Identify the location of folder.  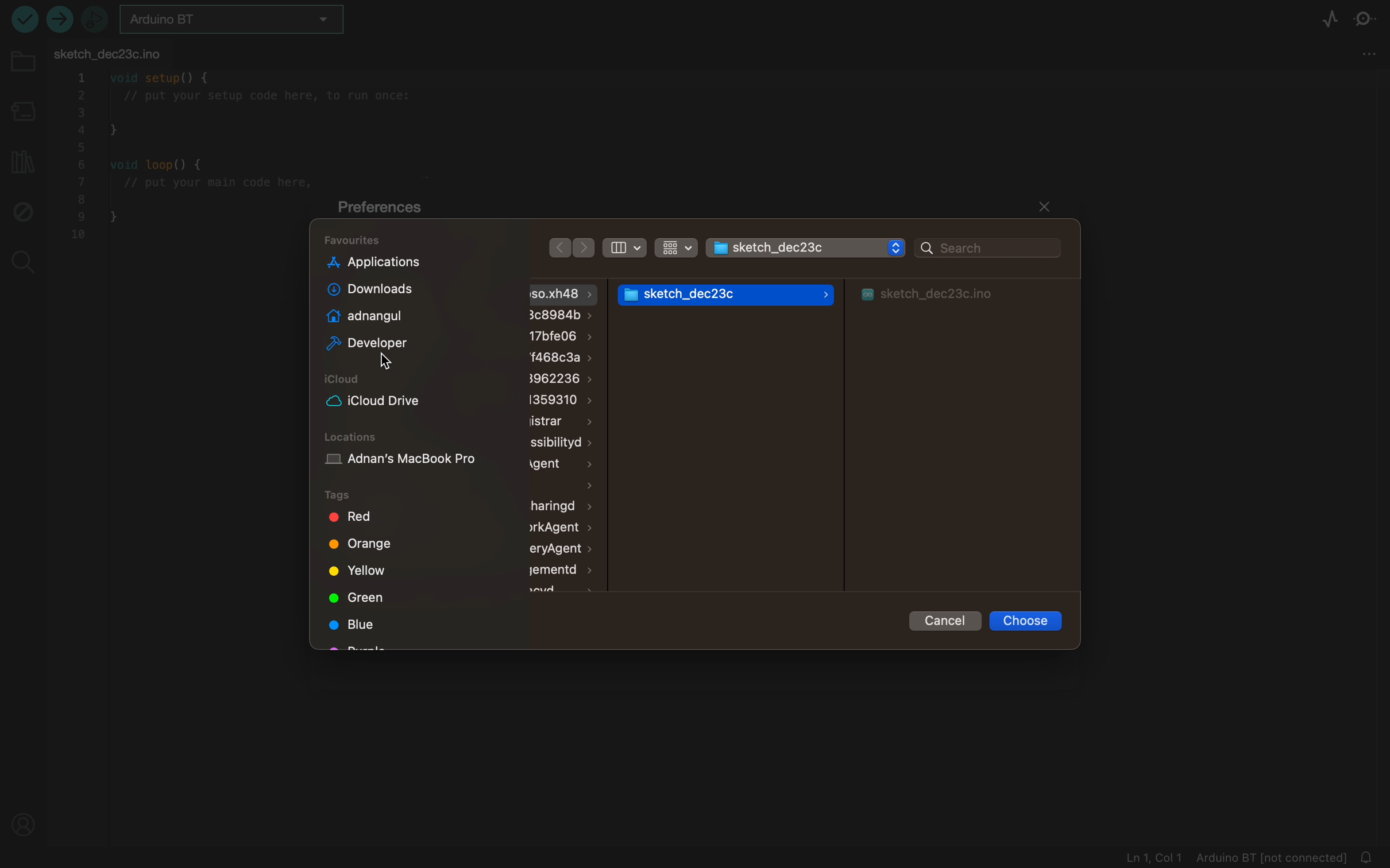
(925, 296).